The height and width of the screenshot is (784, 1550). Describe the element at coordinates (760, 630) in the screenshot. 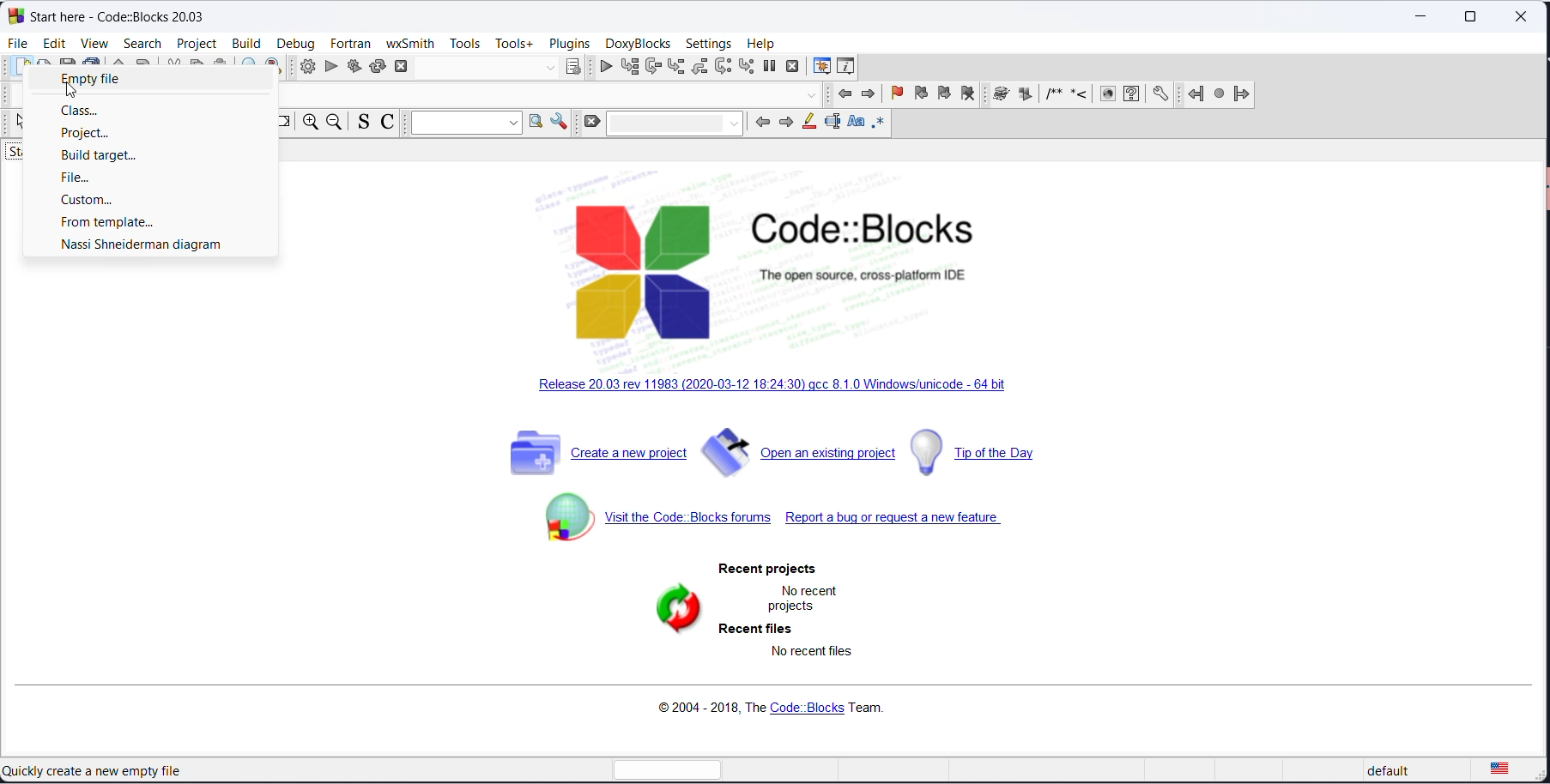

I see `recent files` at that location.